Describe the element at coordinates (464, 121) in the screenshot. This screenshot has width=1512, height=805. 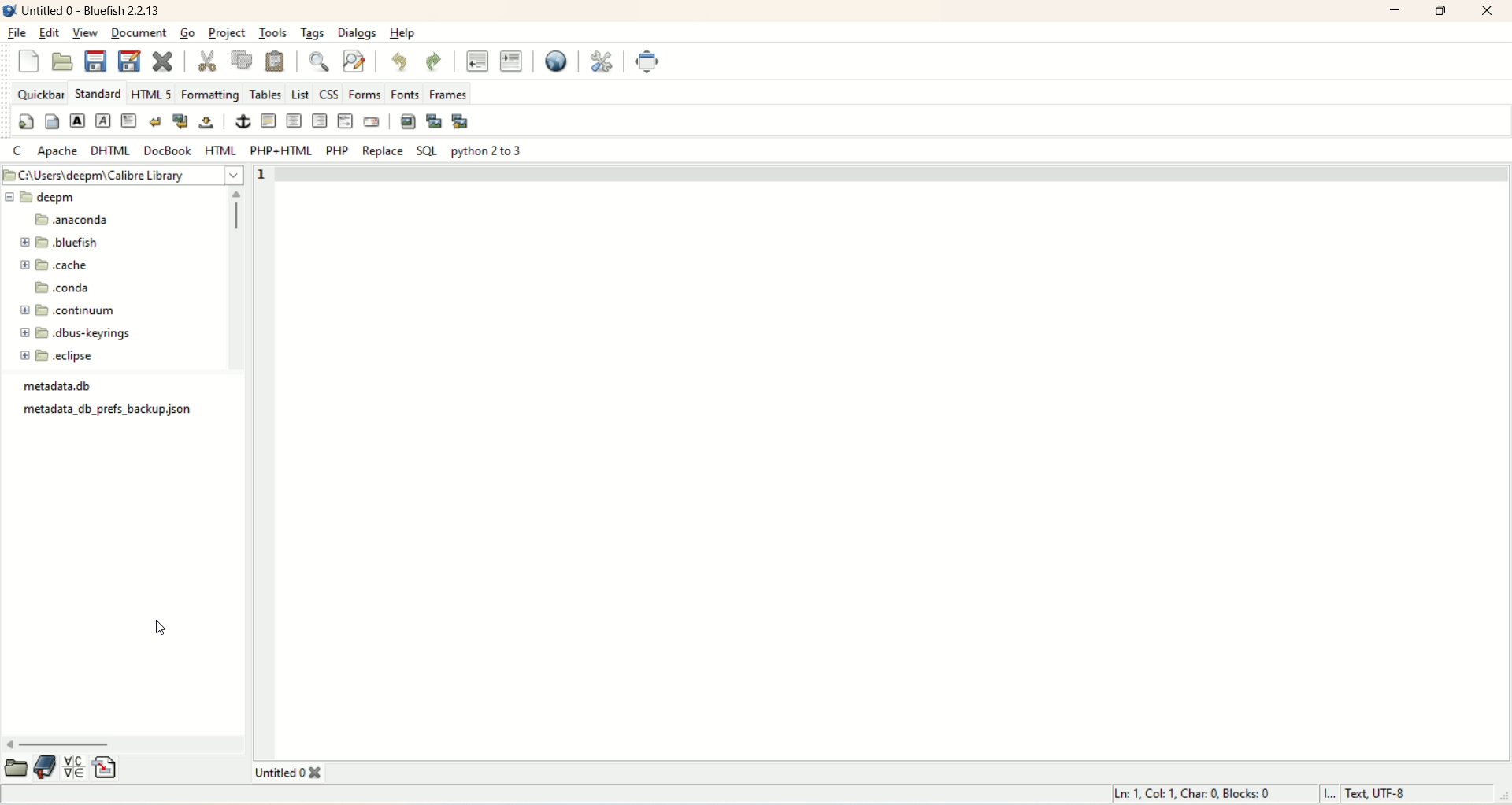
I see `multi-thumbnail` at that location.